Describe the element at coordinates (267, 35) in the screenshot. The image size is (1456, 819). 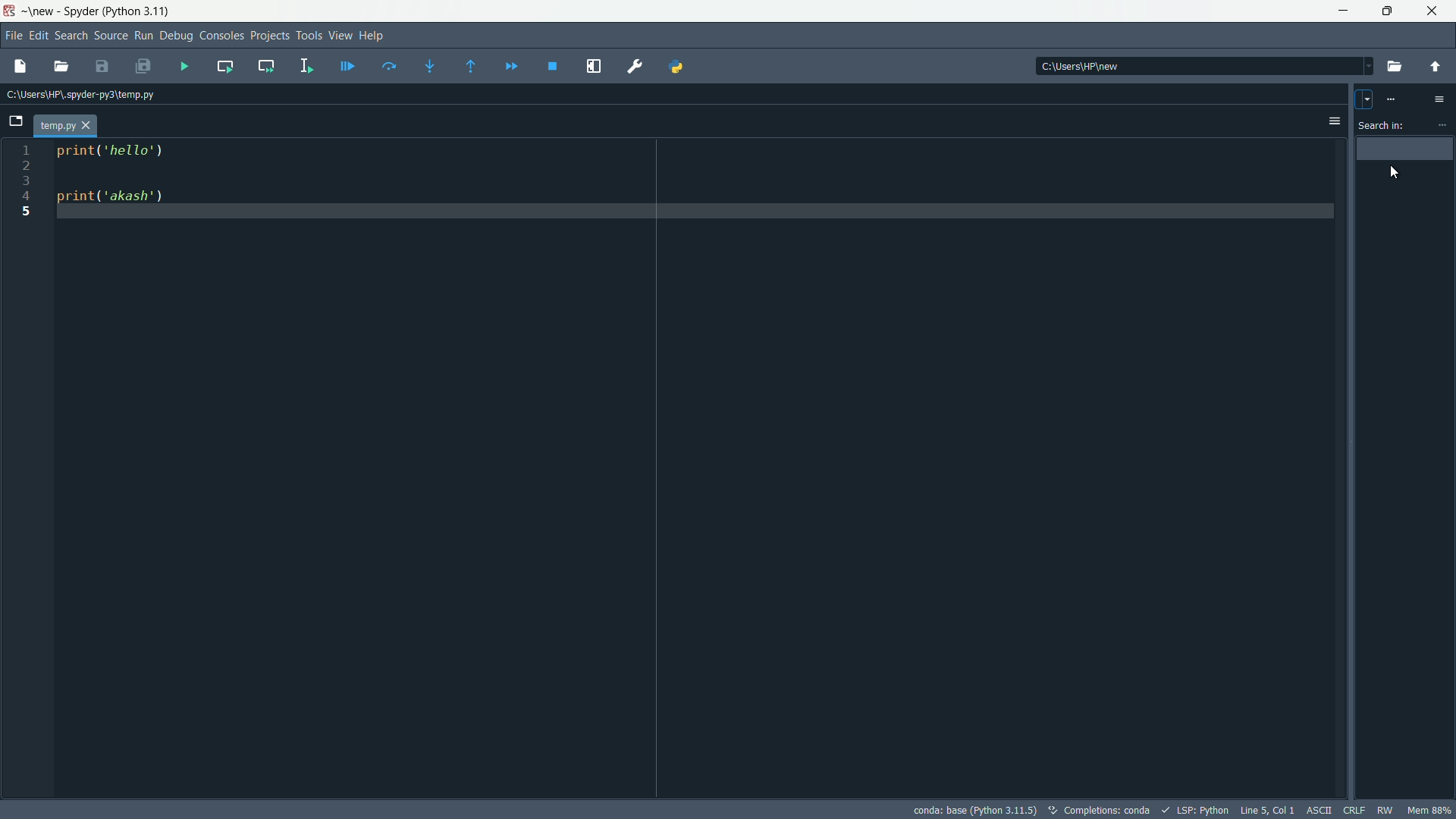
I see `Projects Menu` at that location.